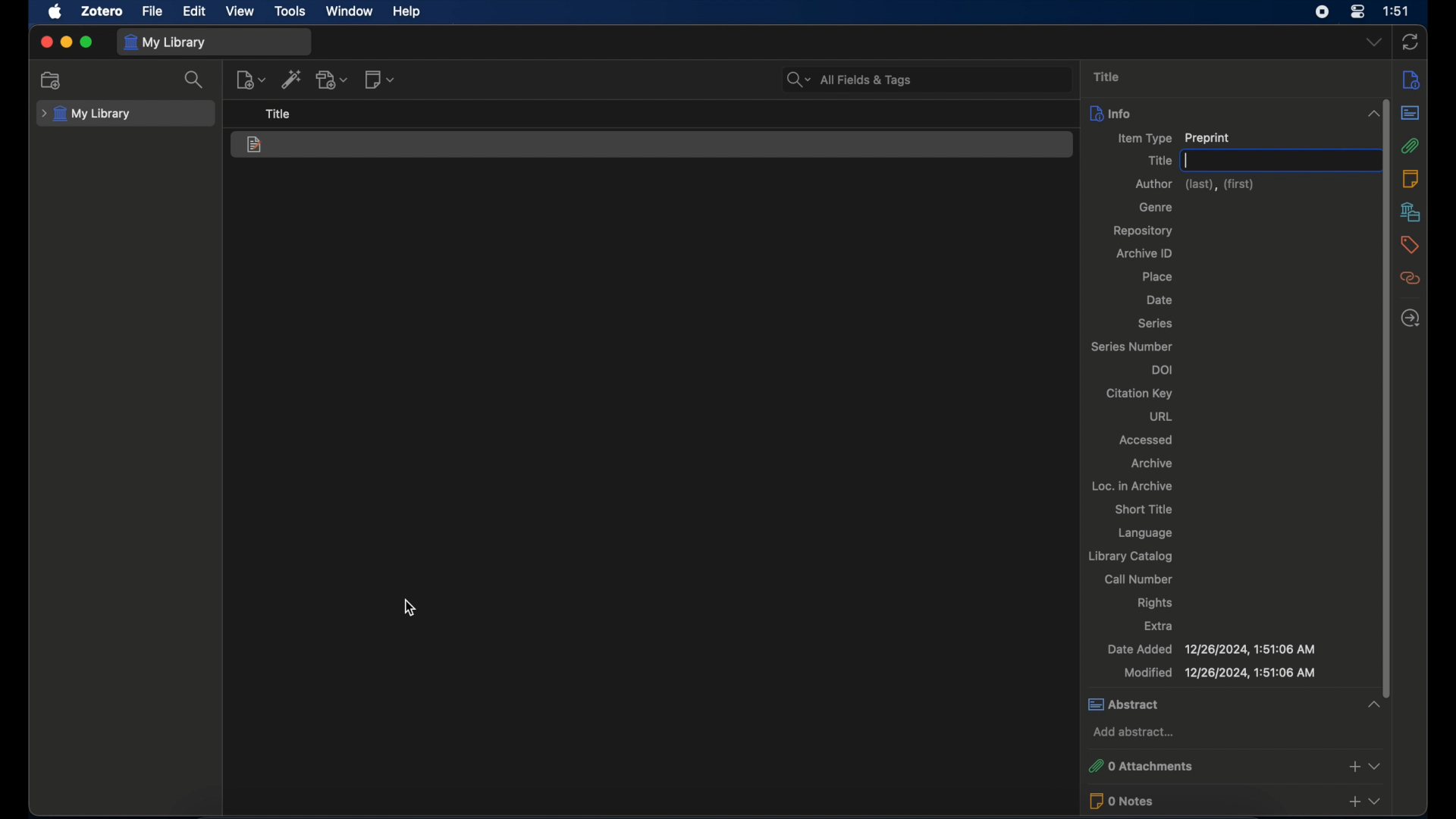 The width and height of the screenshot is (1456, 819). I want to click on library catalog, so click(1129, 557).